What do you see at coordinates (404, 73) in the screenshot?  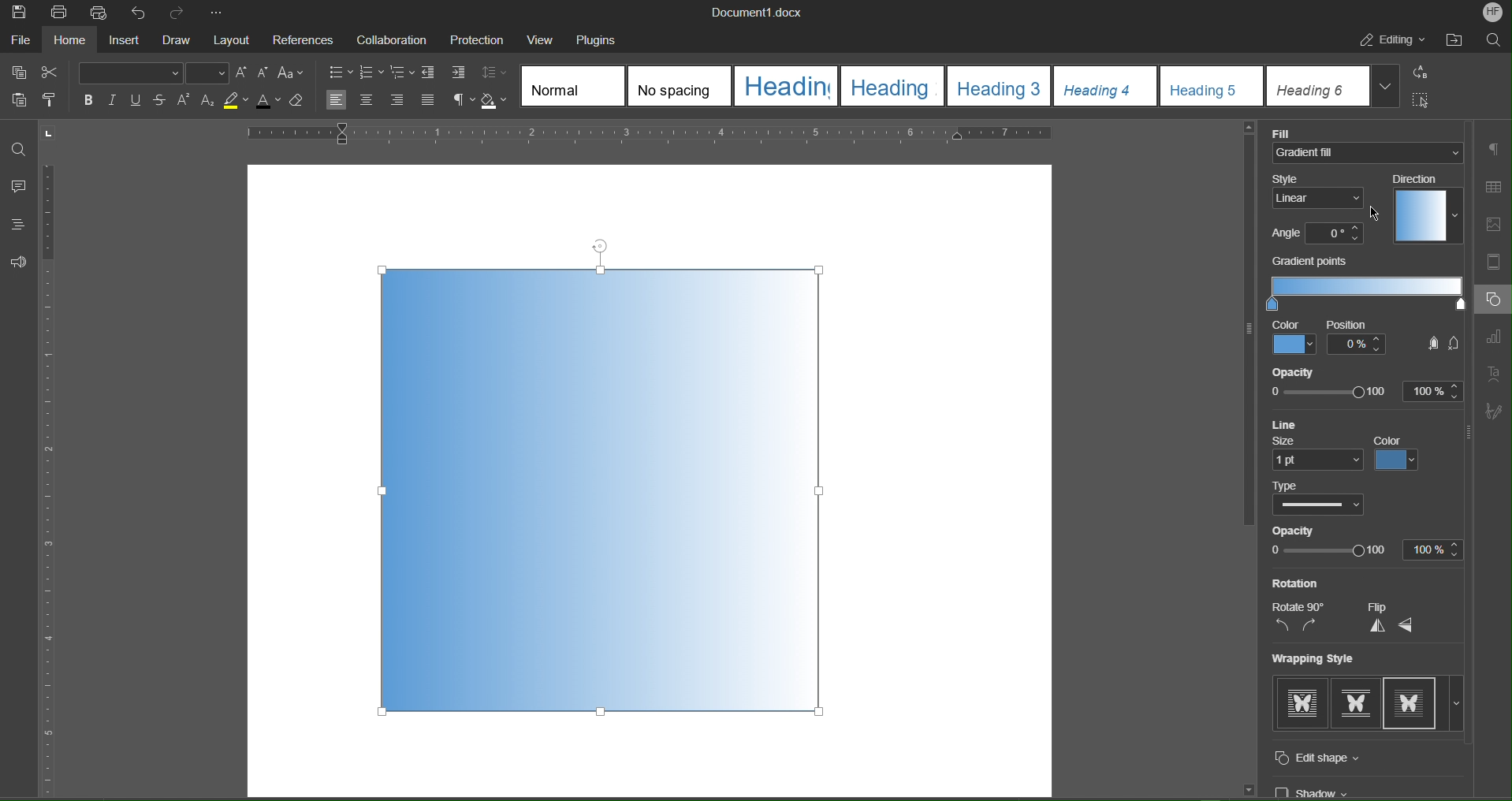 I see `Nested List` at bounding box center [404, 73].